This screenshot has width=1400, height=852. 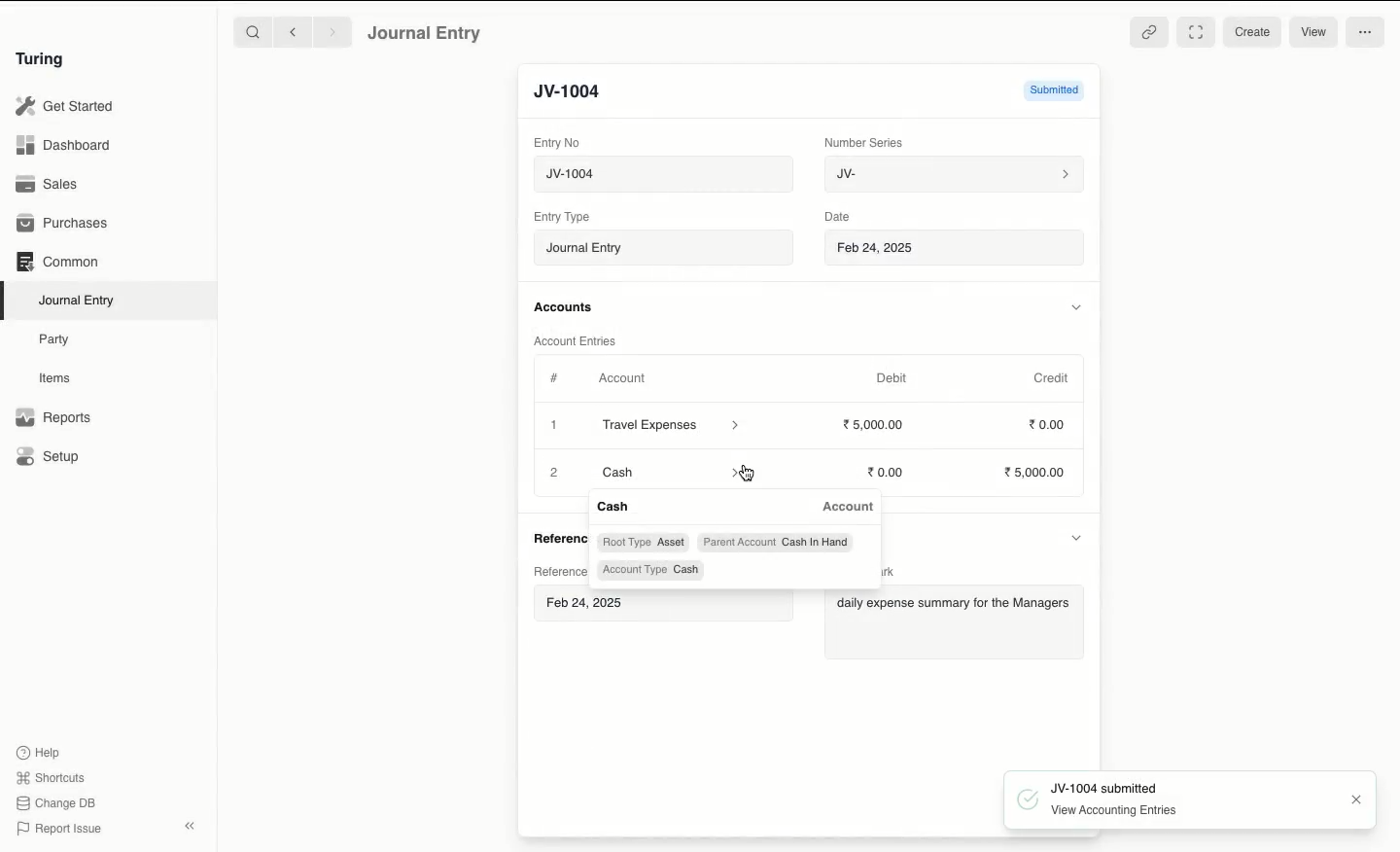 What do you see at coordinates (49, 455) in the screenshot?
I see `Setup` at bounding box center [49, 455].